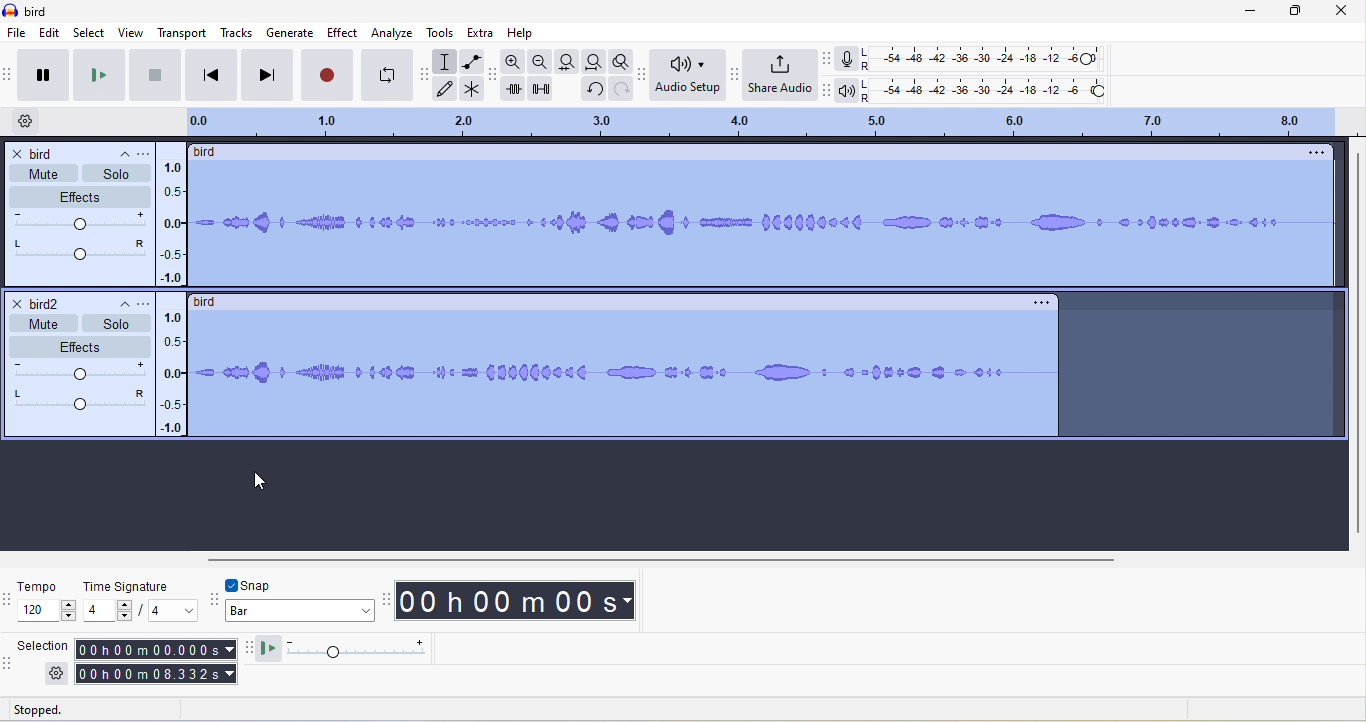 The height and width of the screenshot is (722, 1366). Describe the element at coordinates (424, 73) in the screenshot. I see `audacity tools toolbar` at that location.